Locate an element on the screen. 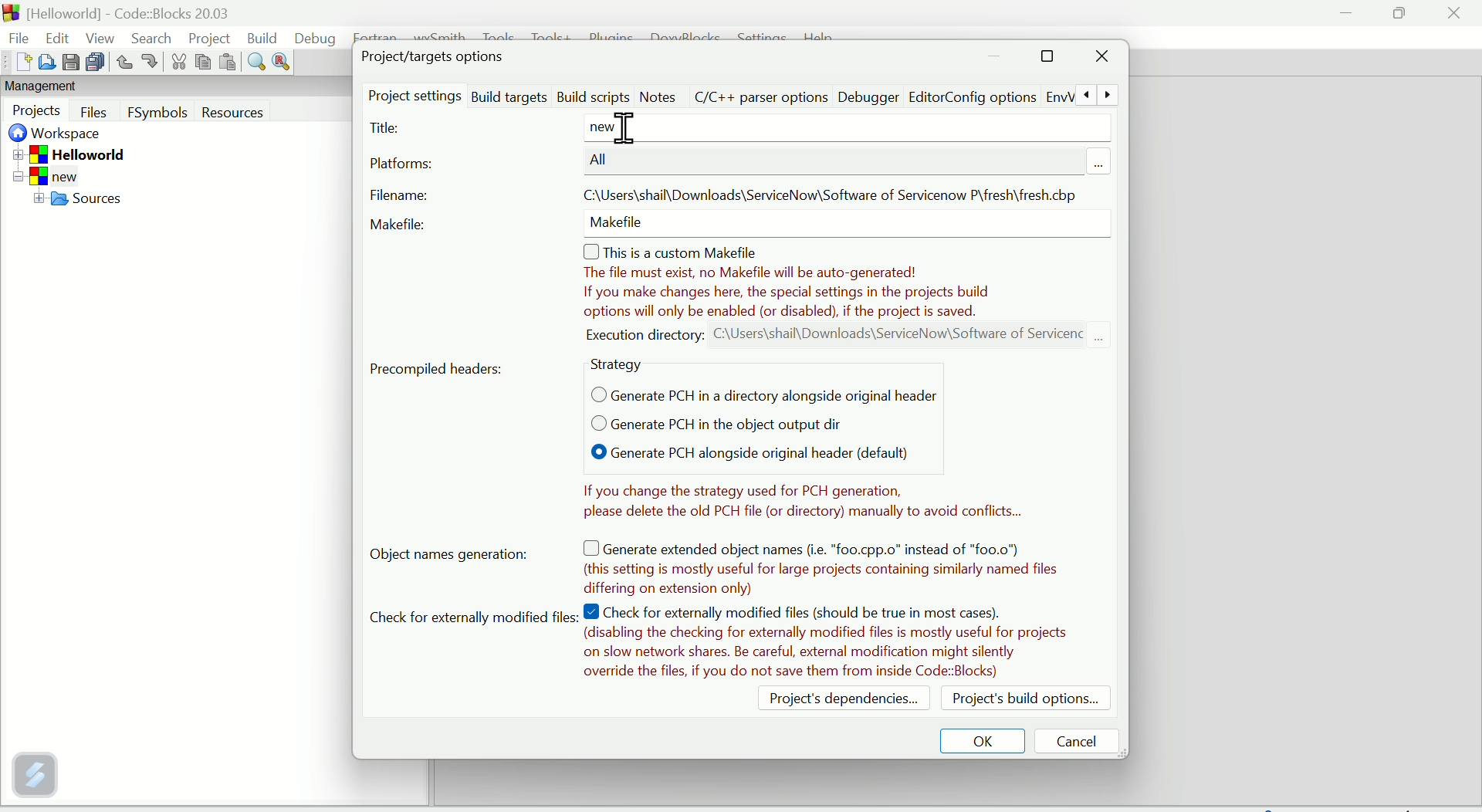  Project build options is located at coordinates (1024, 698).